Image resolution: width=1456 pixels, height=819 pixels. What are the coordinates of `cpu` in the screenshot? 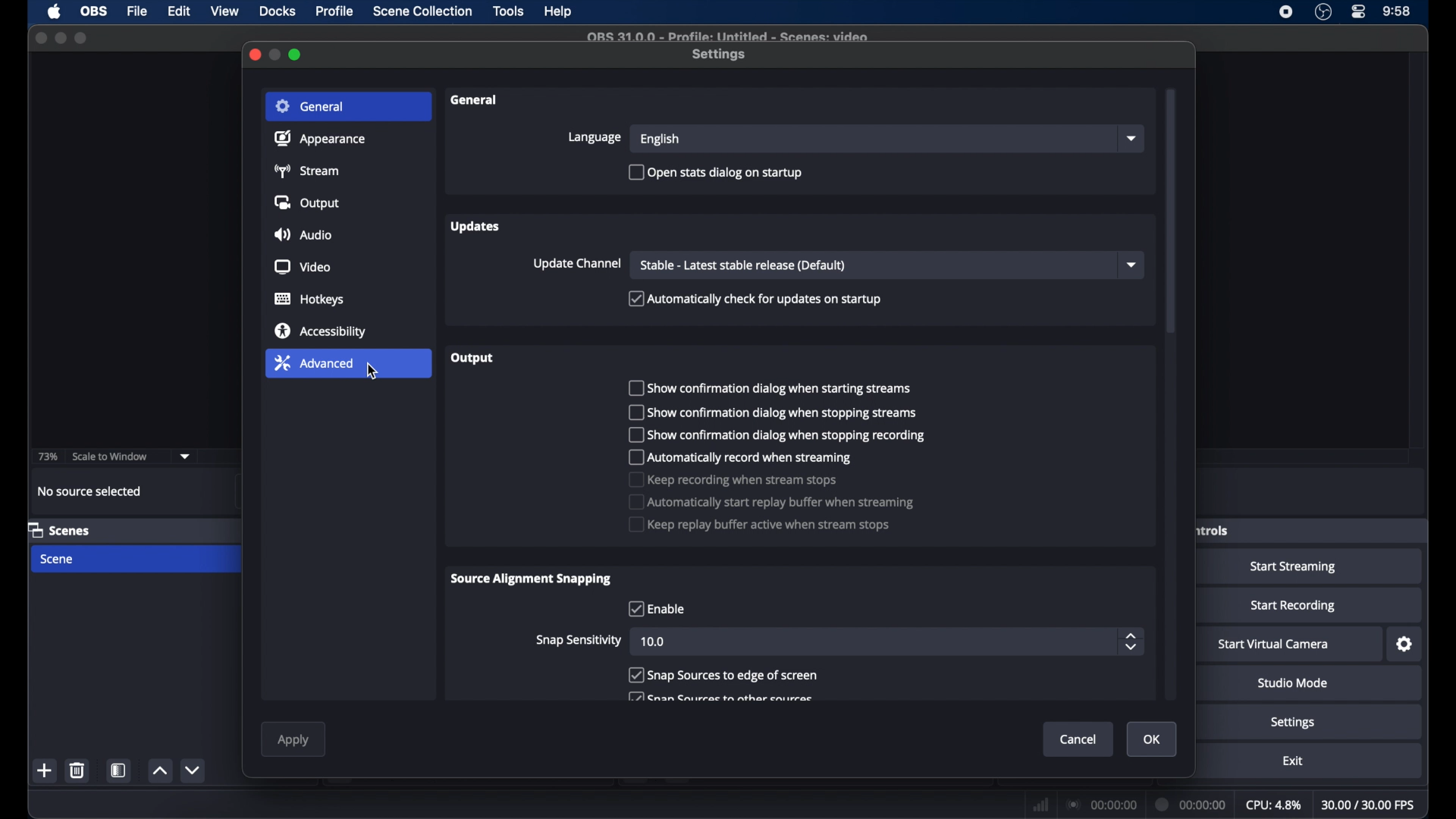 It's located at (1274, 805).